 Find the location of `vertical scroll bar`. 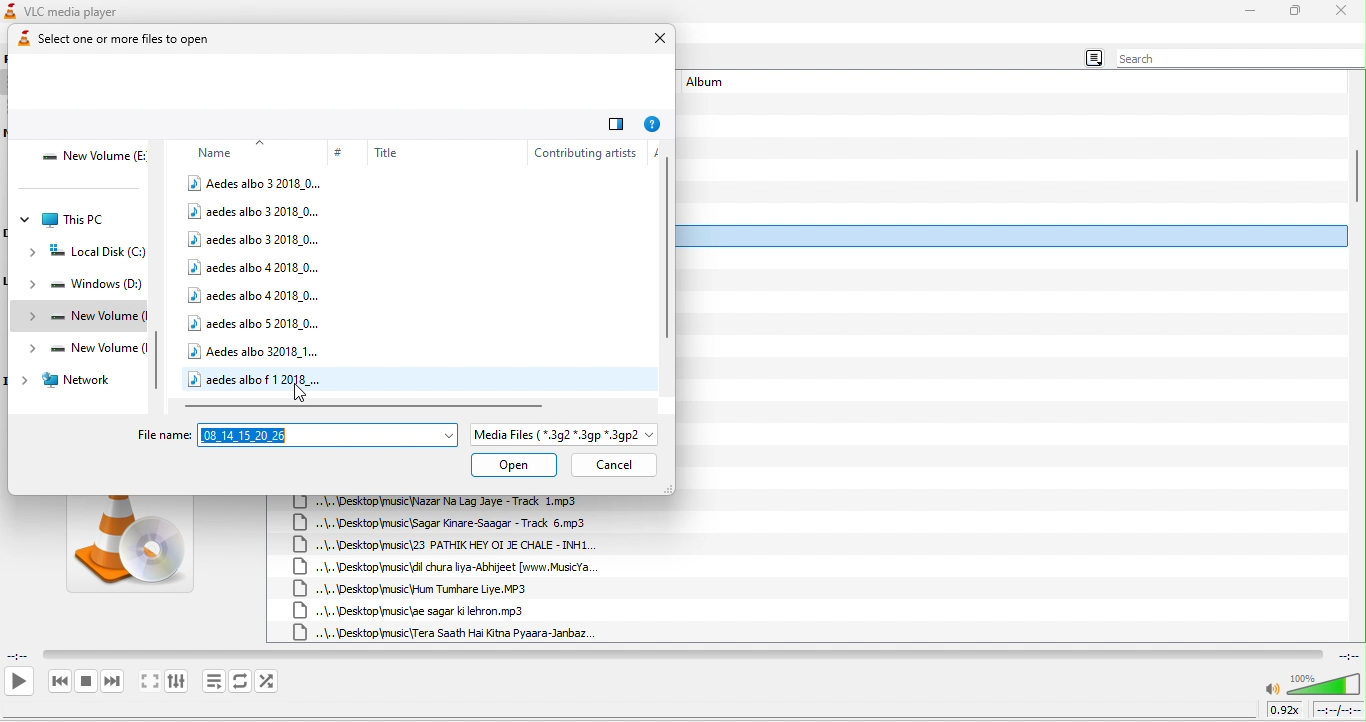

vertical scroll bar is located at coordinates (667, 245).